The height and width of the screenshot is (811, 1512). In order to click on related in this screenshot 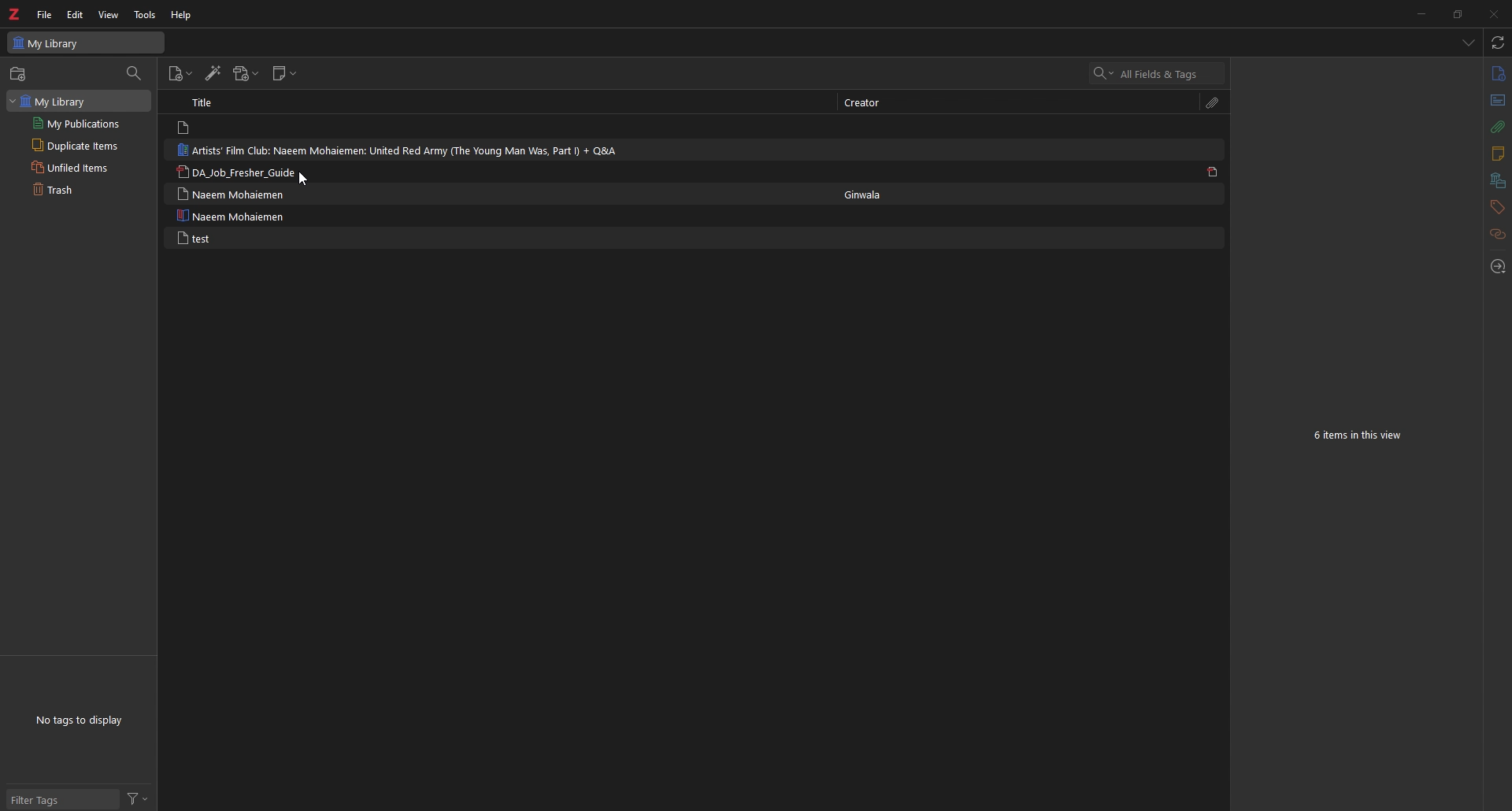, I will do `click(1497, 234)`.